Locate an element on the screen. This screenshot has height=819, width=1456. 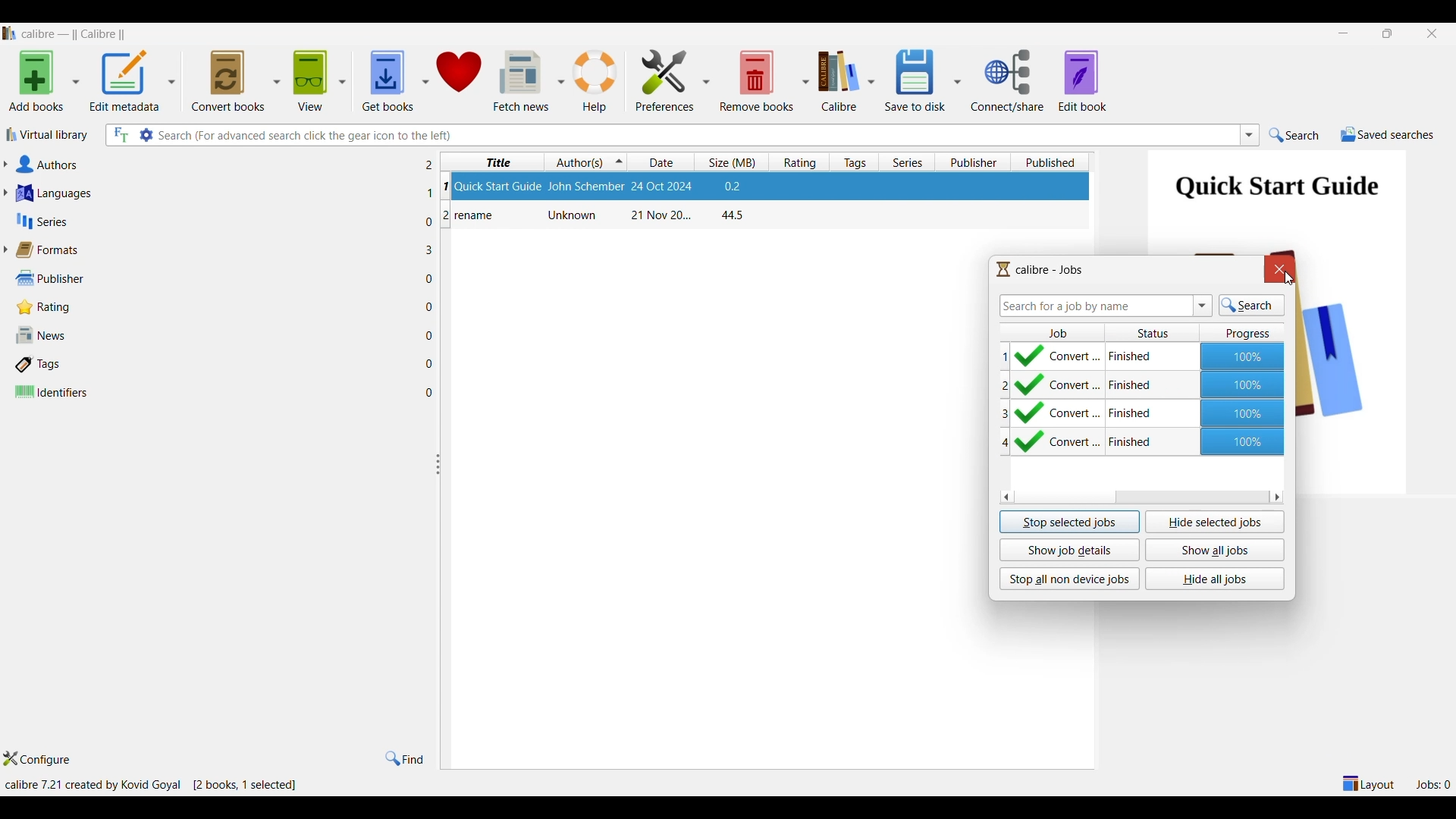
Search is located at coordinates (1251, 305).